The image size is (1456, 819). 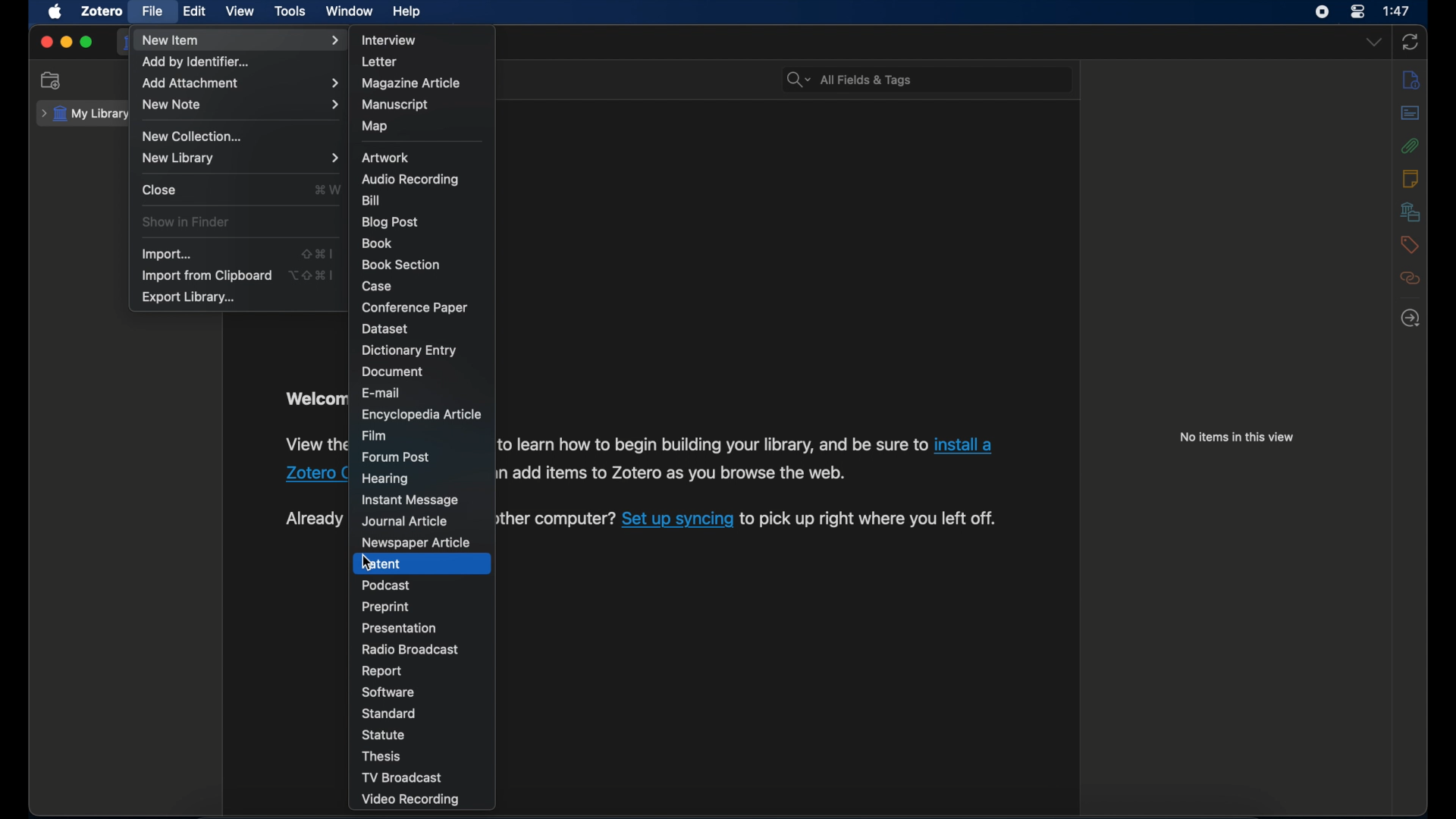 I want to click on book section, so click(x=401, y=265).